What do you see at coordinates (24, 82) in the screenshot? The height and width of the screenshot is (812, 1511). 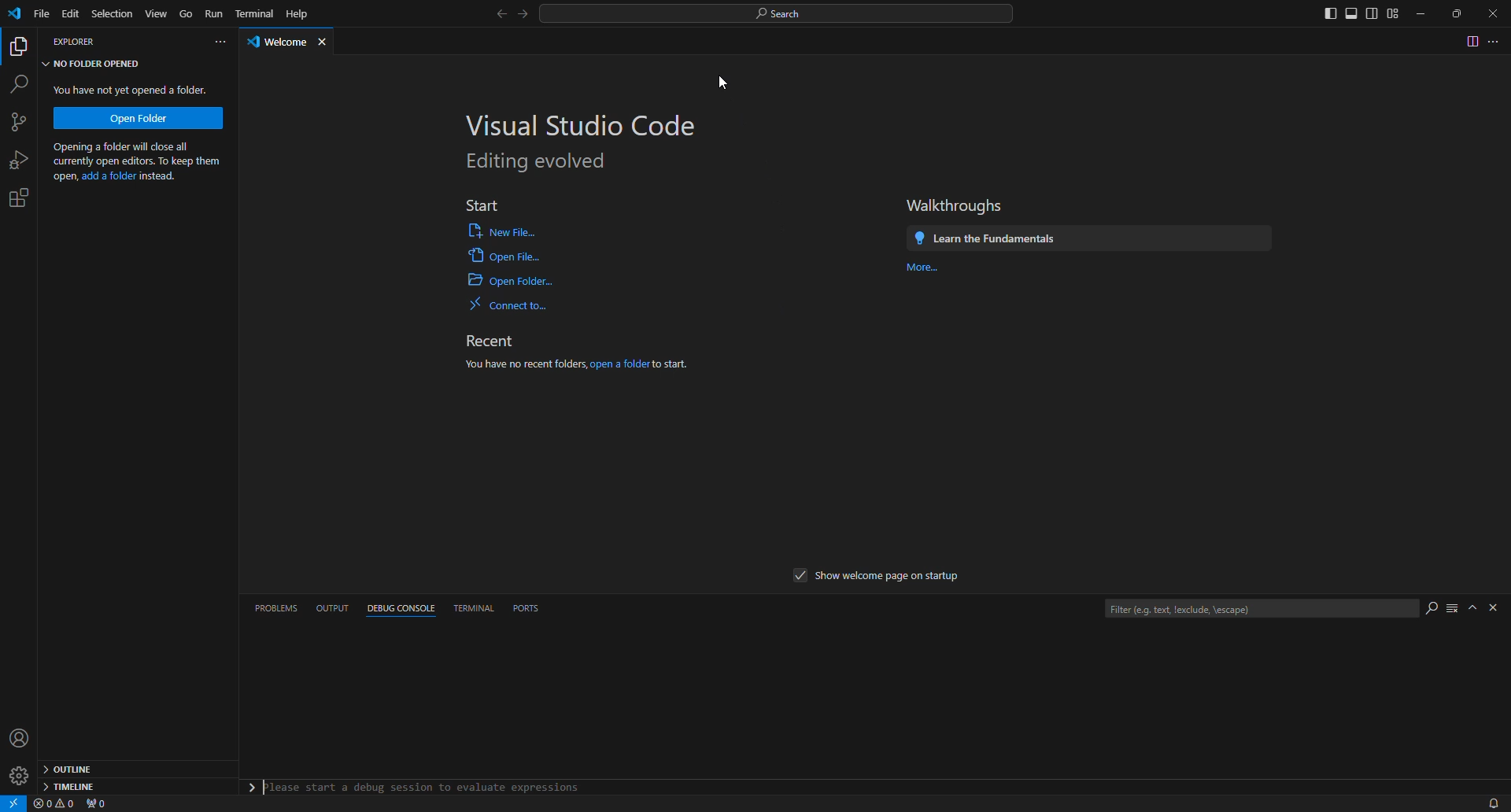 I see `find` at bounding box center [24, 82].